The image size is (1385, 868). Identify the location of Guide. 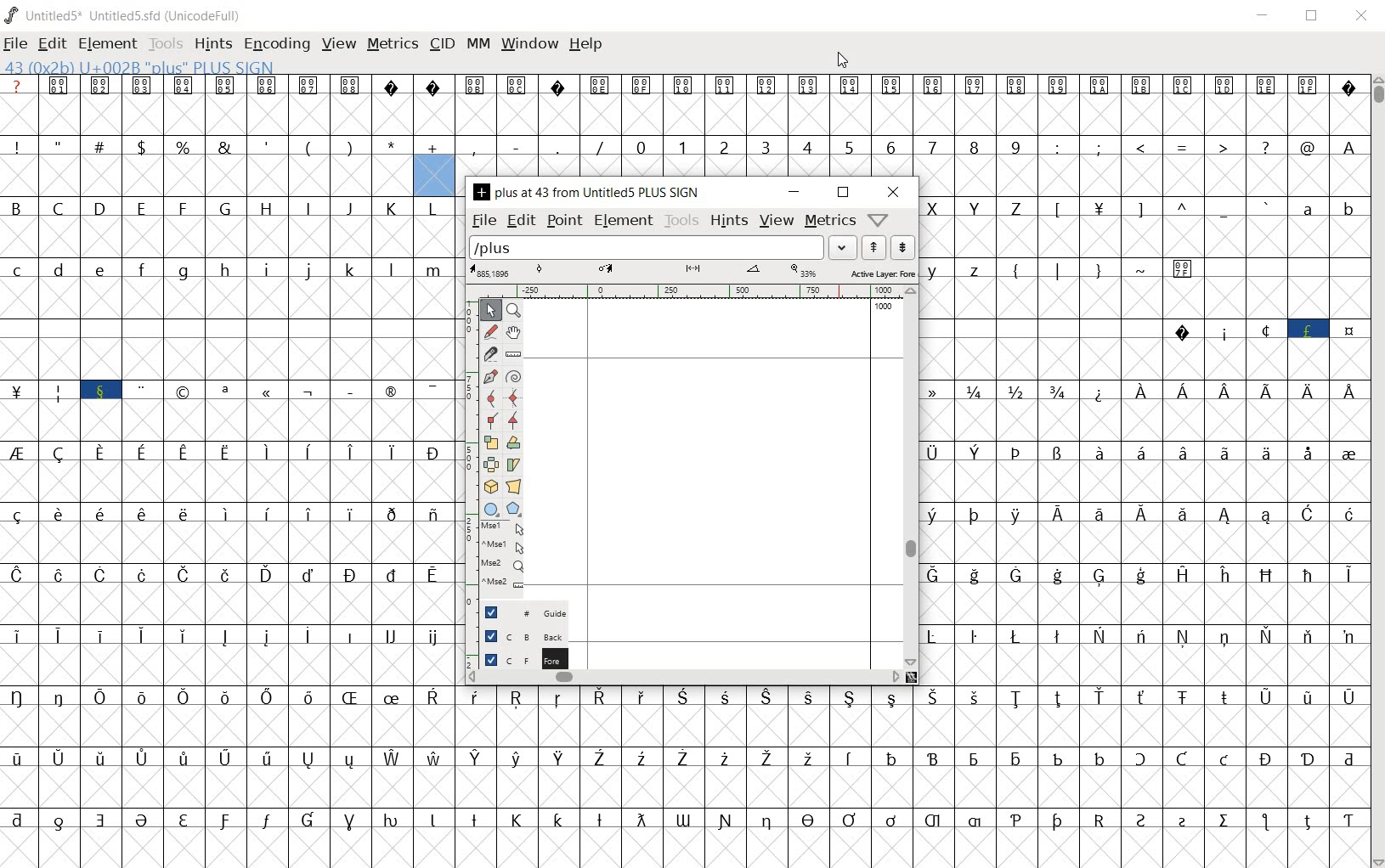
(519, 611).